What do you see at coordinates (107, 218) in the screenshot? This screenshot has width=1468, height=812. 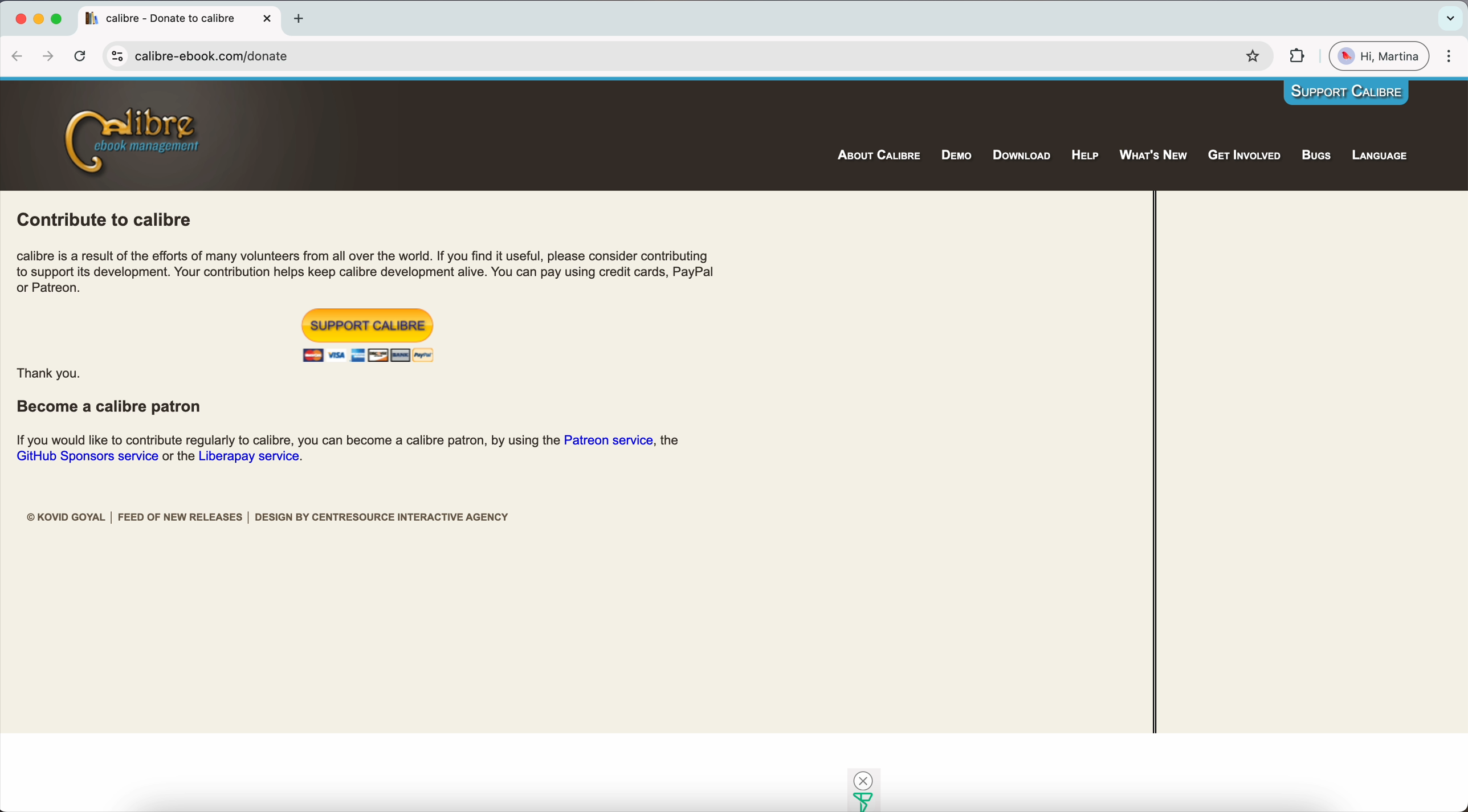 I see `contribute to calibre` at bounding box center [107, 218].